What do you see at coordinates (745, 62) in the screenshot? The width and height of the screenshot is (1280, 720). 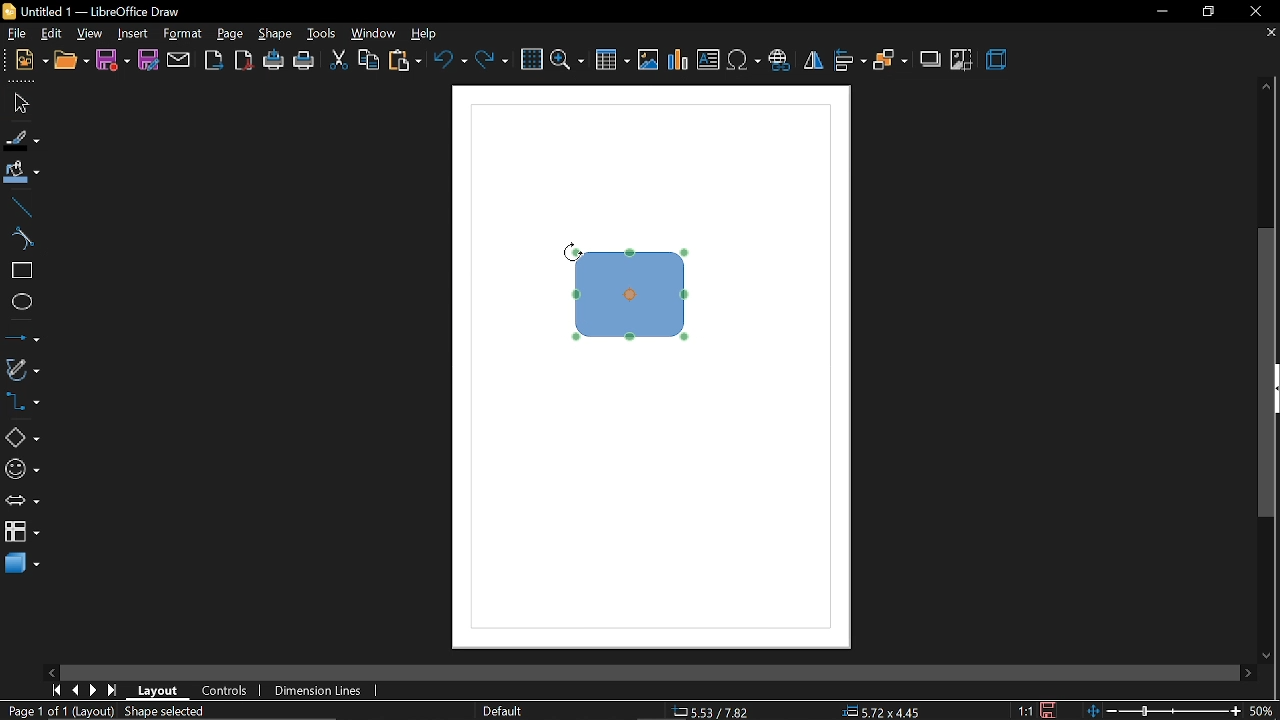 I see `insert symbol` at bounding box center [745, 62].